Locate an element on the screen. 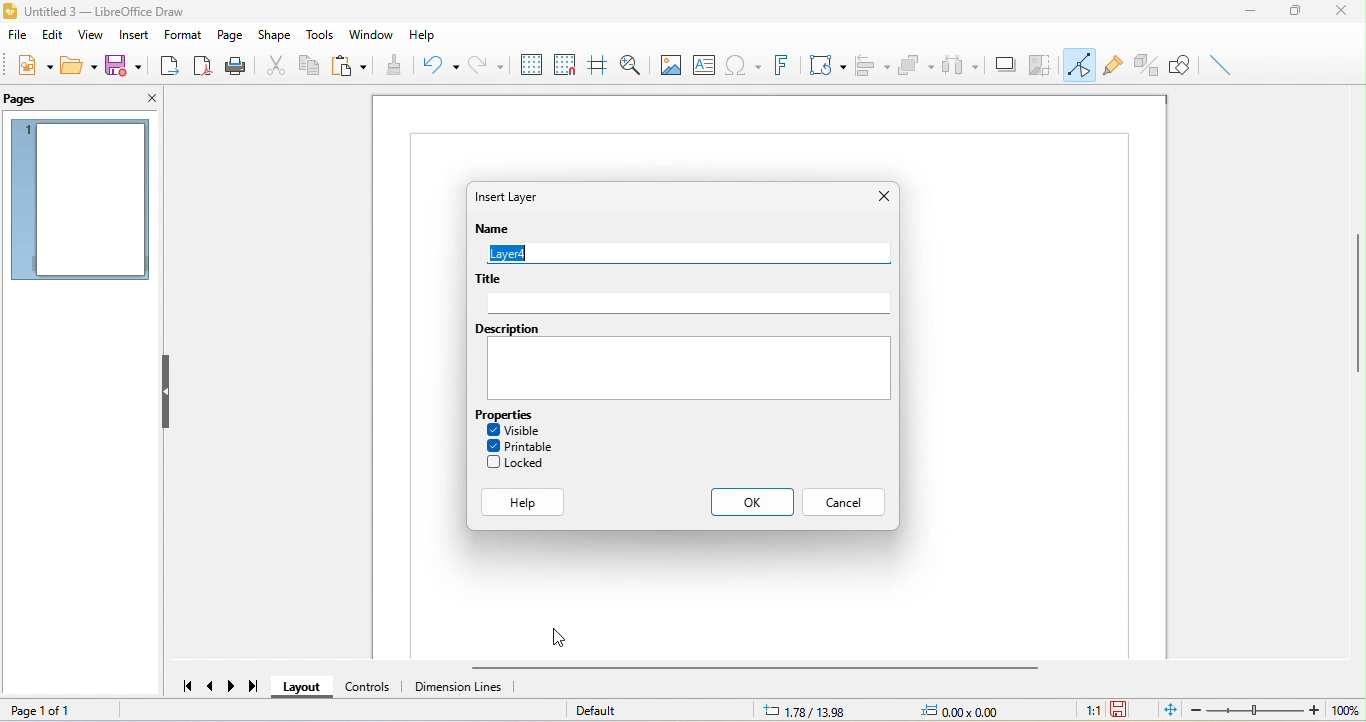 The image size is (1366, 722). title is located at coordinates (108, 10).